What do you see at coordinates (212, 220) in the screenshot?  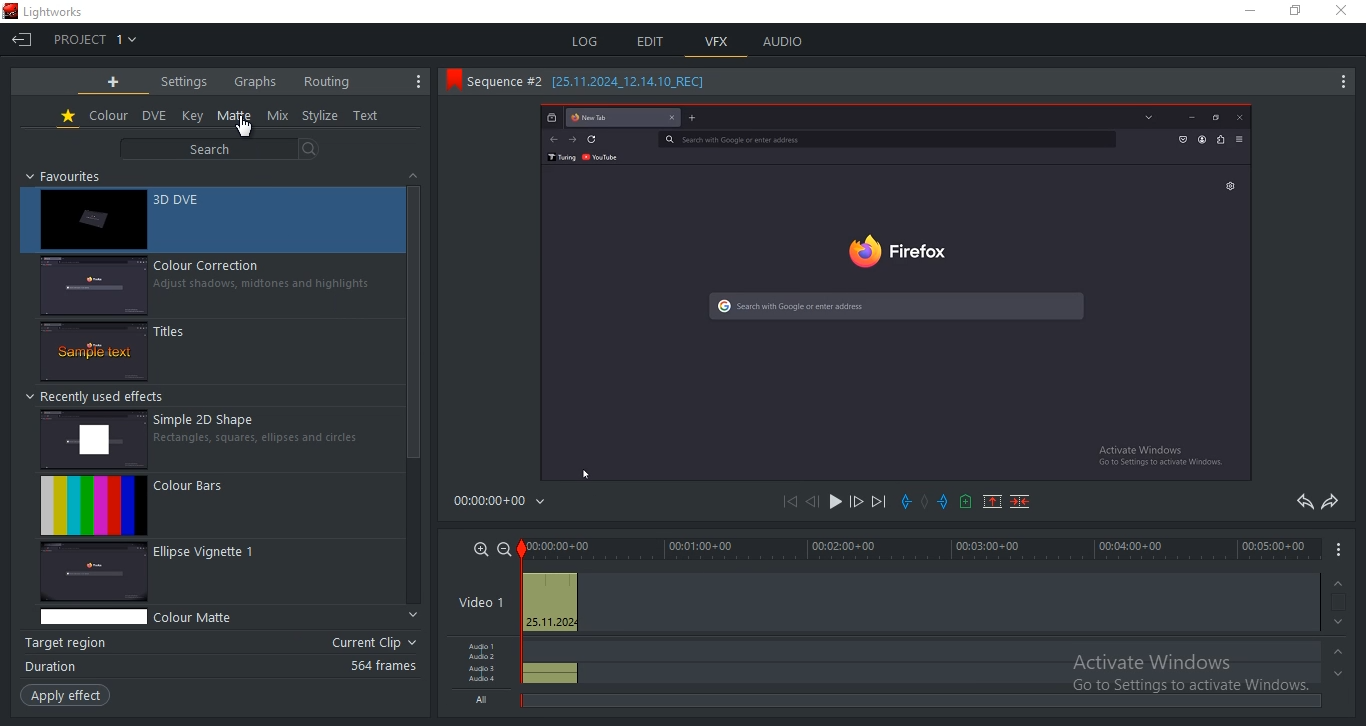 I see `3d dve` at bounding box center [212, 220].